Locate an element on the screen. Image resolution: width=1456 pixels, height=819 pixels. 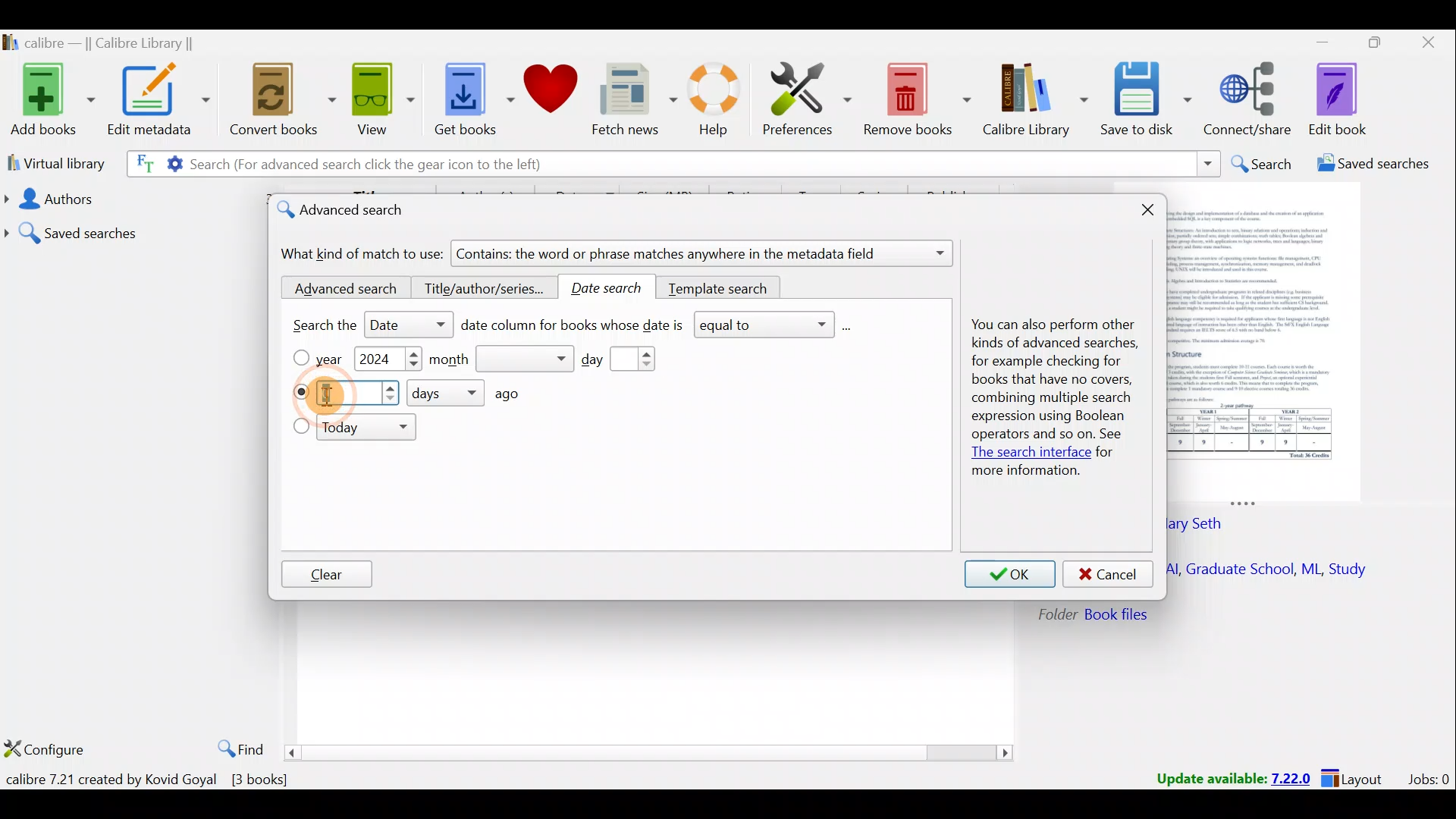
Save to disk is located at coordinates (1148, 101).